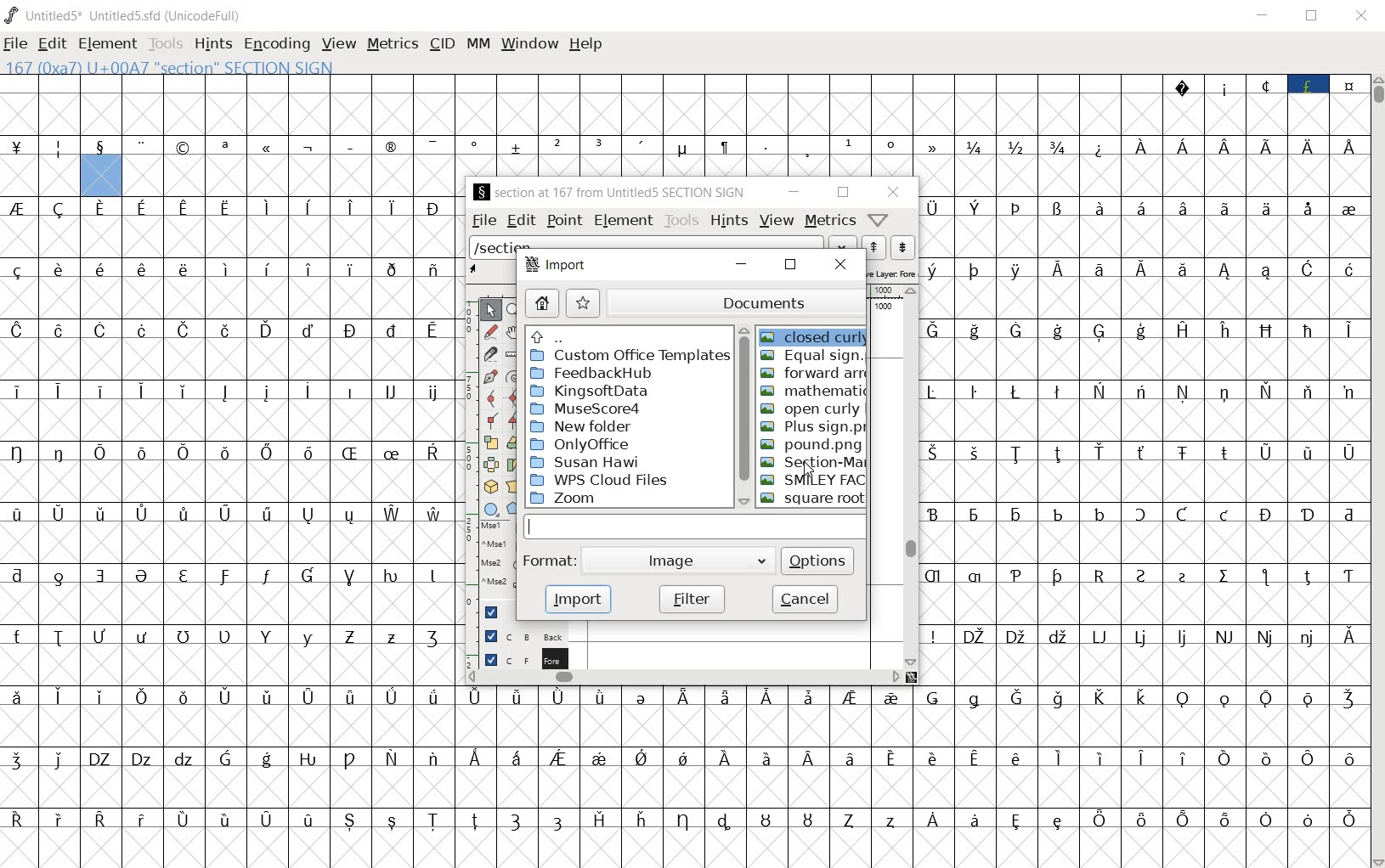 The image size is (1385, 868). Describe the element at coordinates (229, 514) in the screenshot. I see `special letters` at that location.